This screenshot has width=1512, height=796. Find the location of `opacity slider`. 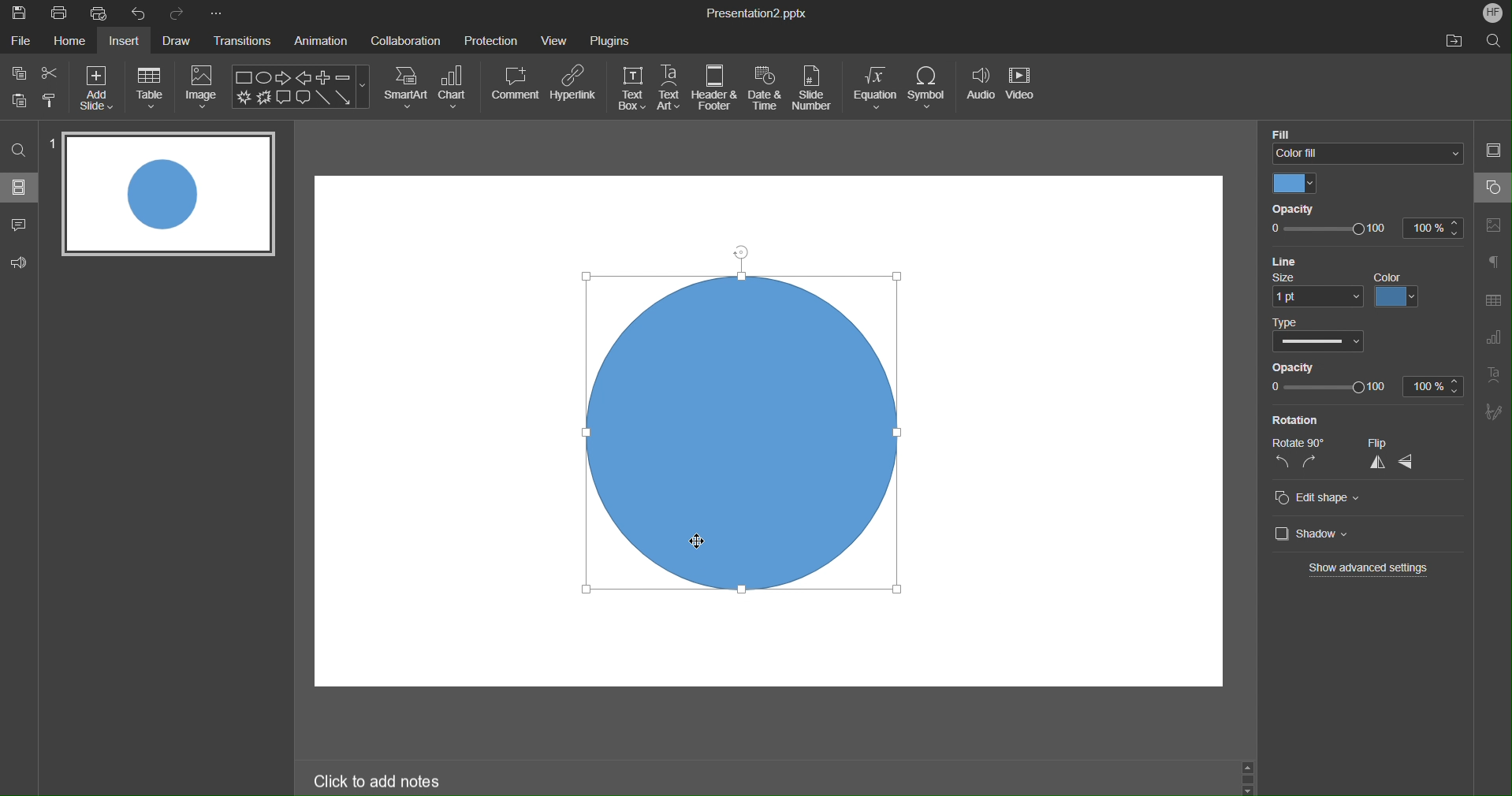

opacity slider is located at coordinates (1328, 230).